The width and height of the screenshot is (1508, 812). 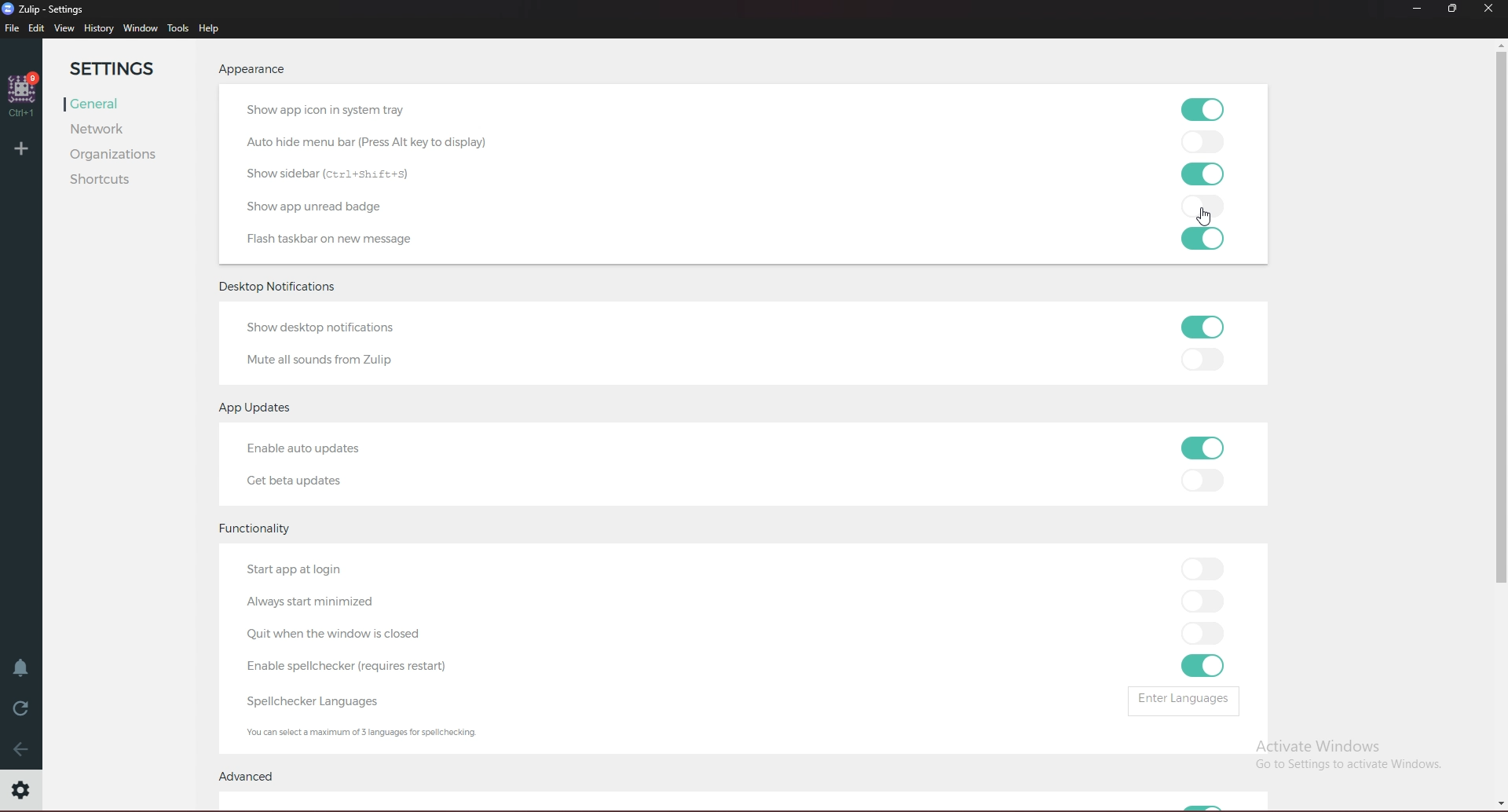 I want to click on close, so click(x=1488, y=9).